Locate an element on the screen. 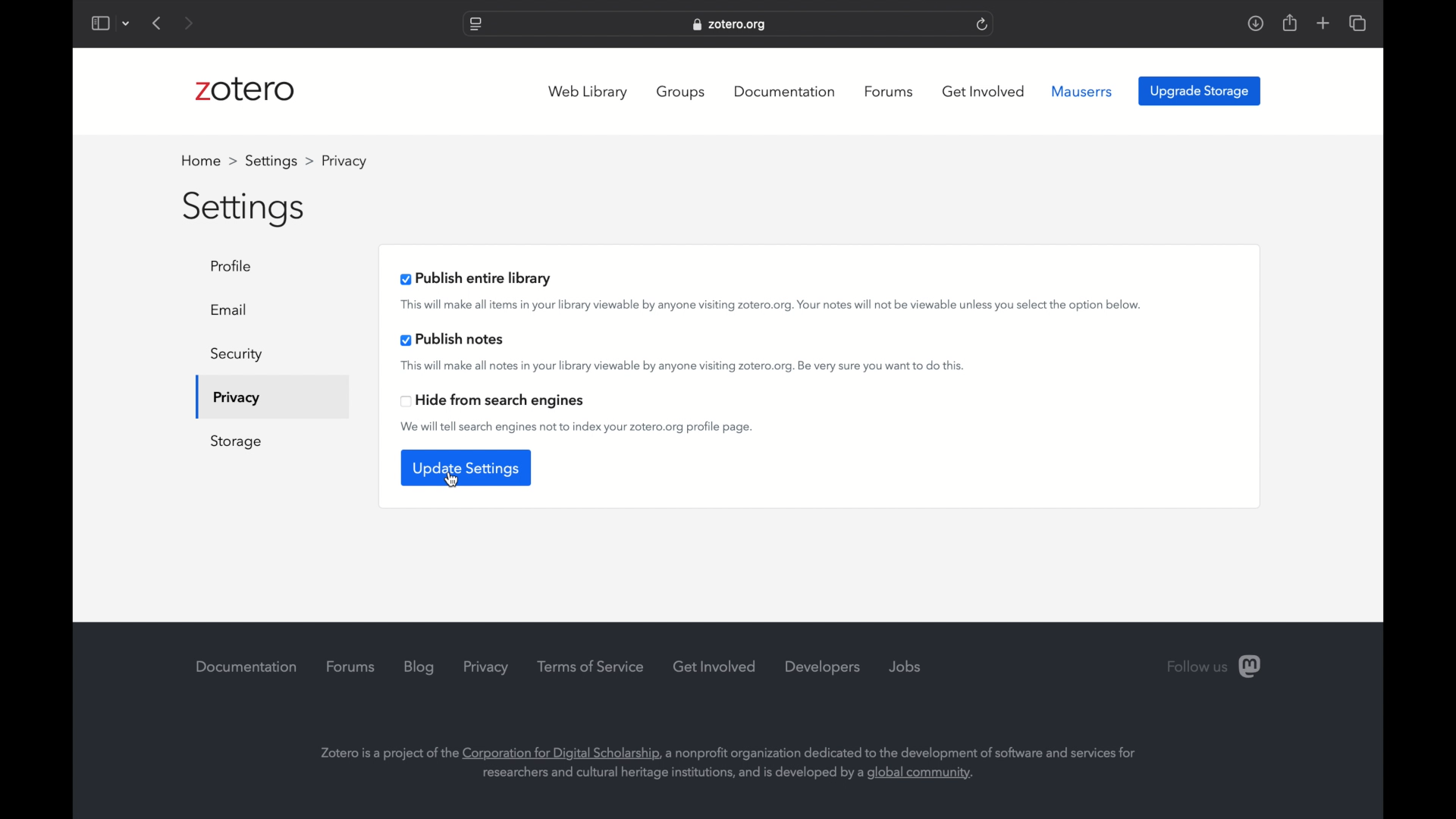 This screenshot has width=1456, height=819. profile is located at coordinates (235, 266).